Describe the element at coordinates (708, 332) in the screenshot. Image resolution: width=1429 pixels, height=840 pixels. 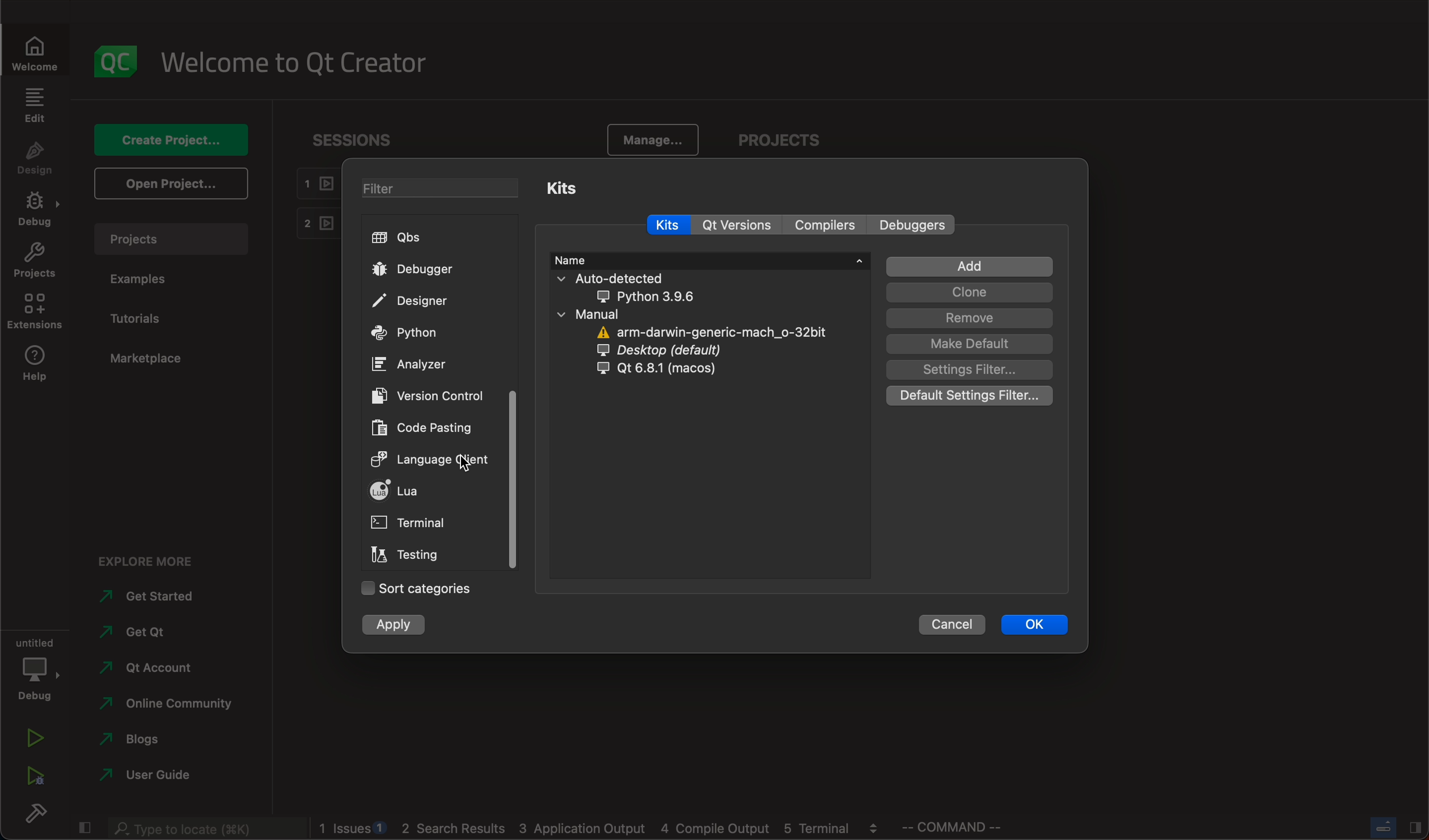
I see `arm darmin` at that location.